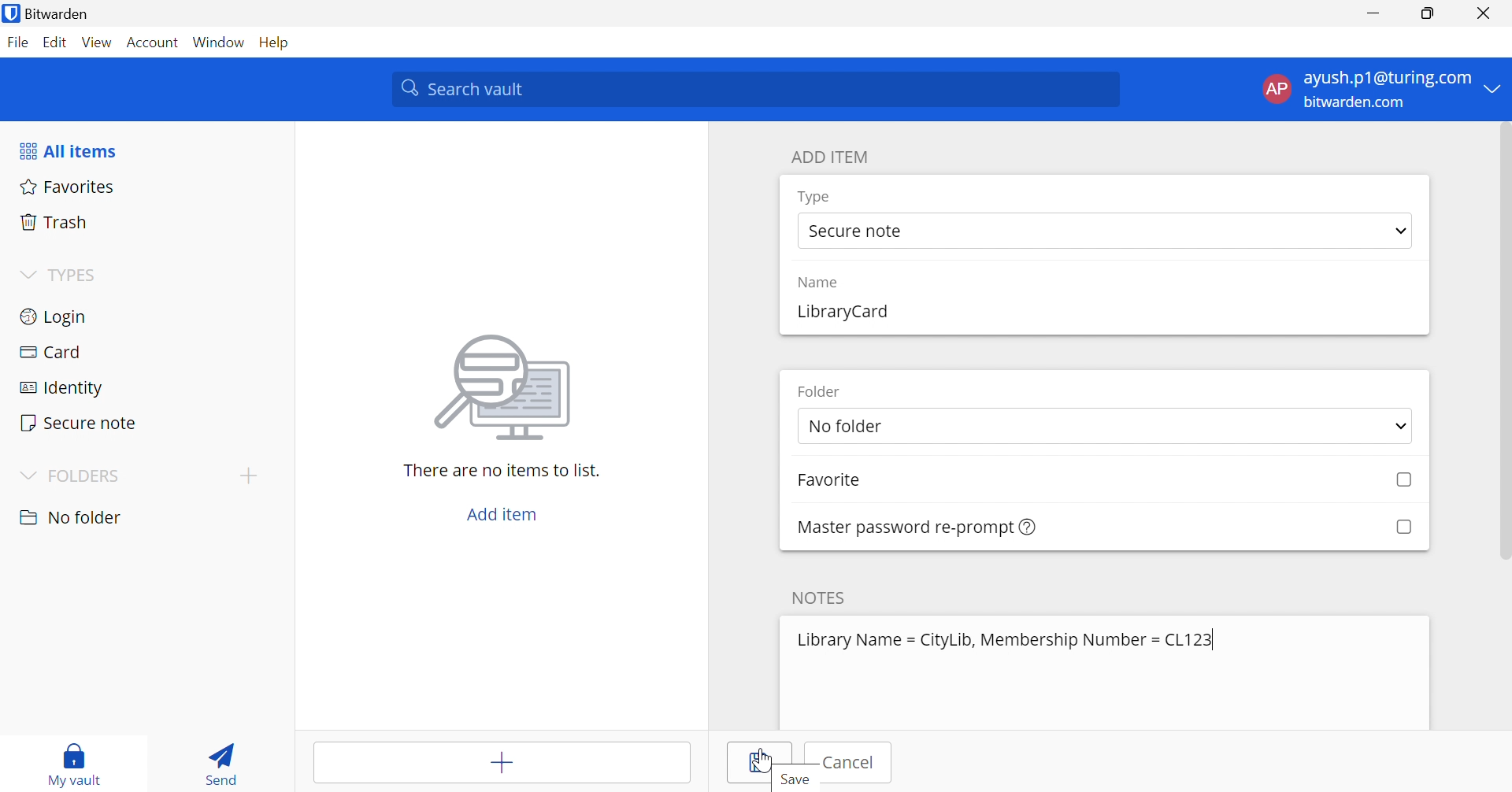  Describe the element at coordinates (754, 89) in the screenshot. I see `Search vault` at that location.